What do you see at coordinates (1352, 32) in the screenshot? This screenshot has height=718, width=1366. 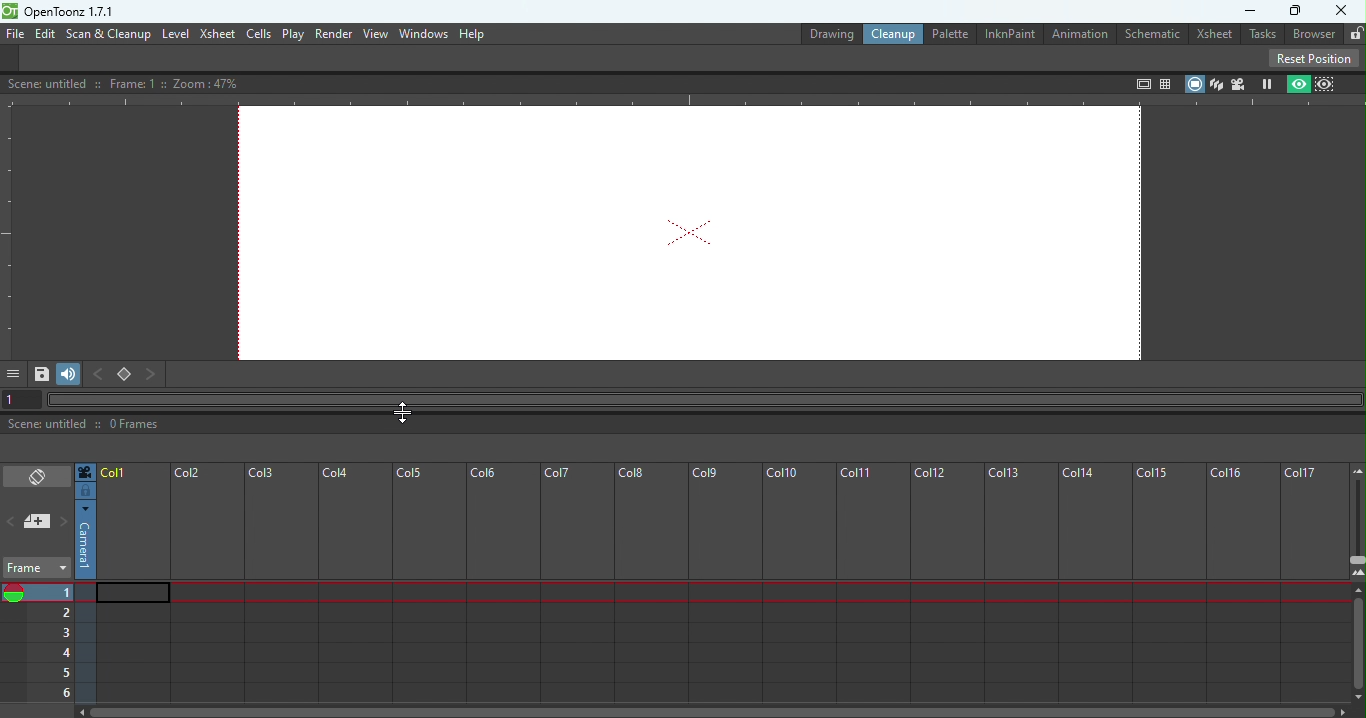 I see `Lock rooms tab` at bounding box center [1352, 32].